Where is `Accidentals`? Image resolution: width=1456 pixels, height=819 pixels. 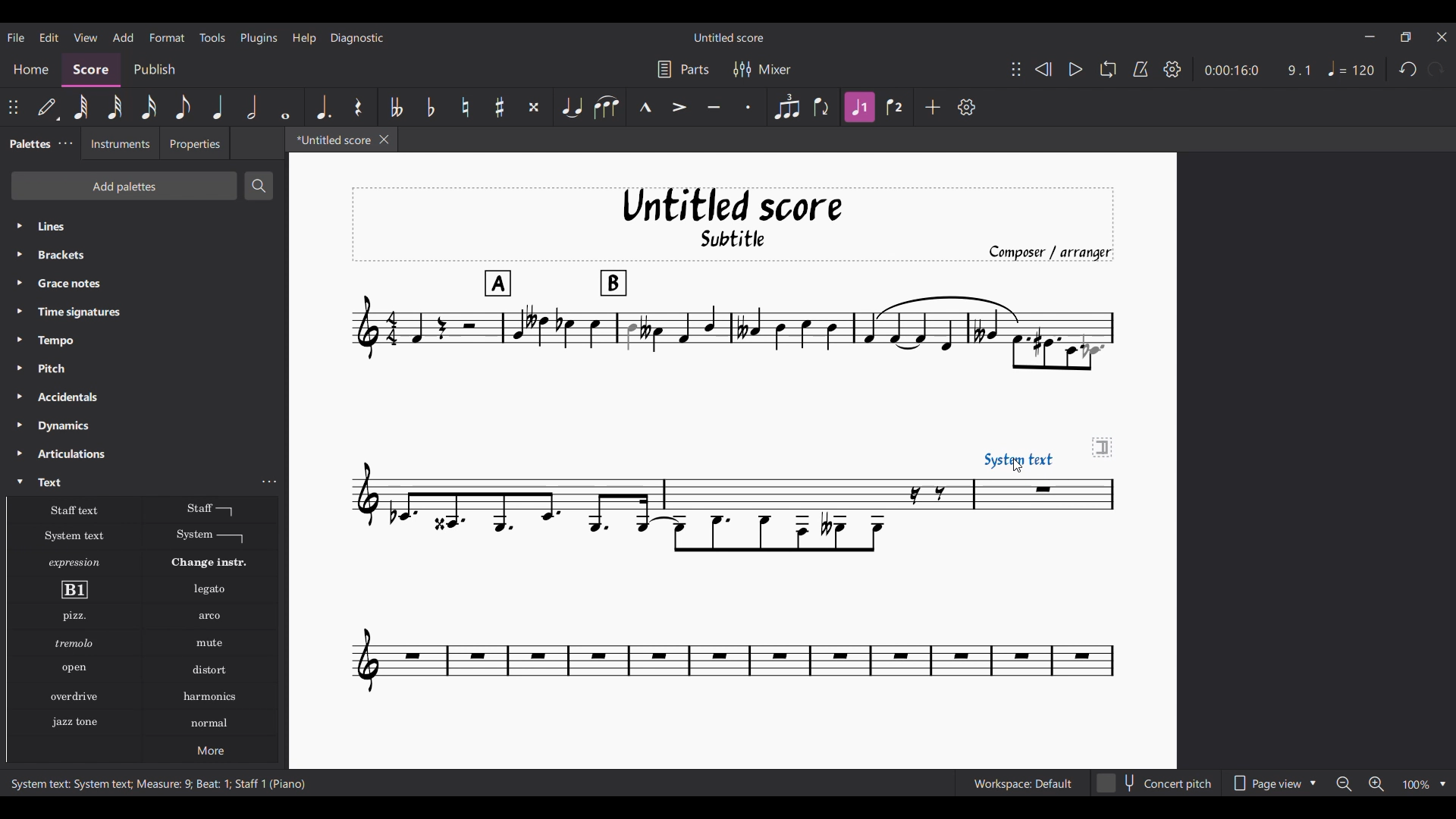
Accidentals is located at coordinates (143, 397).